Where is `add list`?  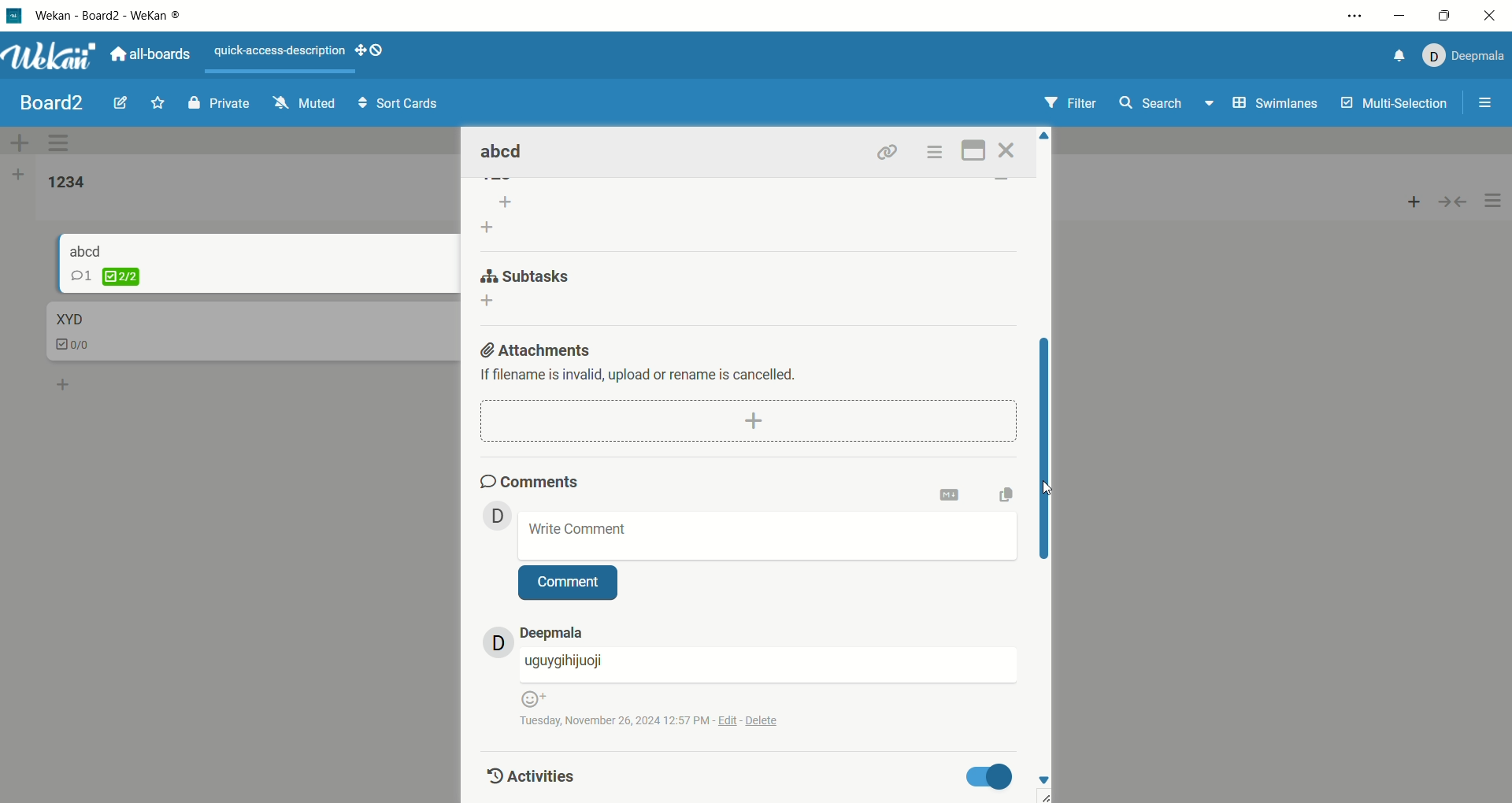 add list is located at coordinates (18, 177).